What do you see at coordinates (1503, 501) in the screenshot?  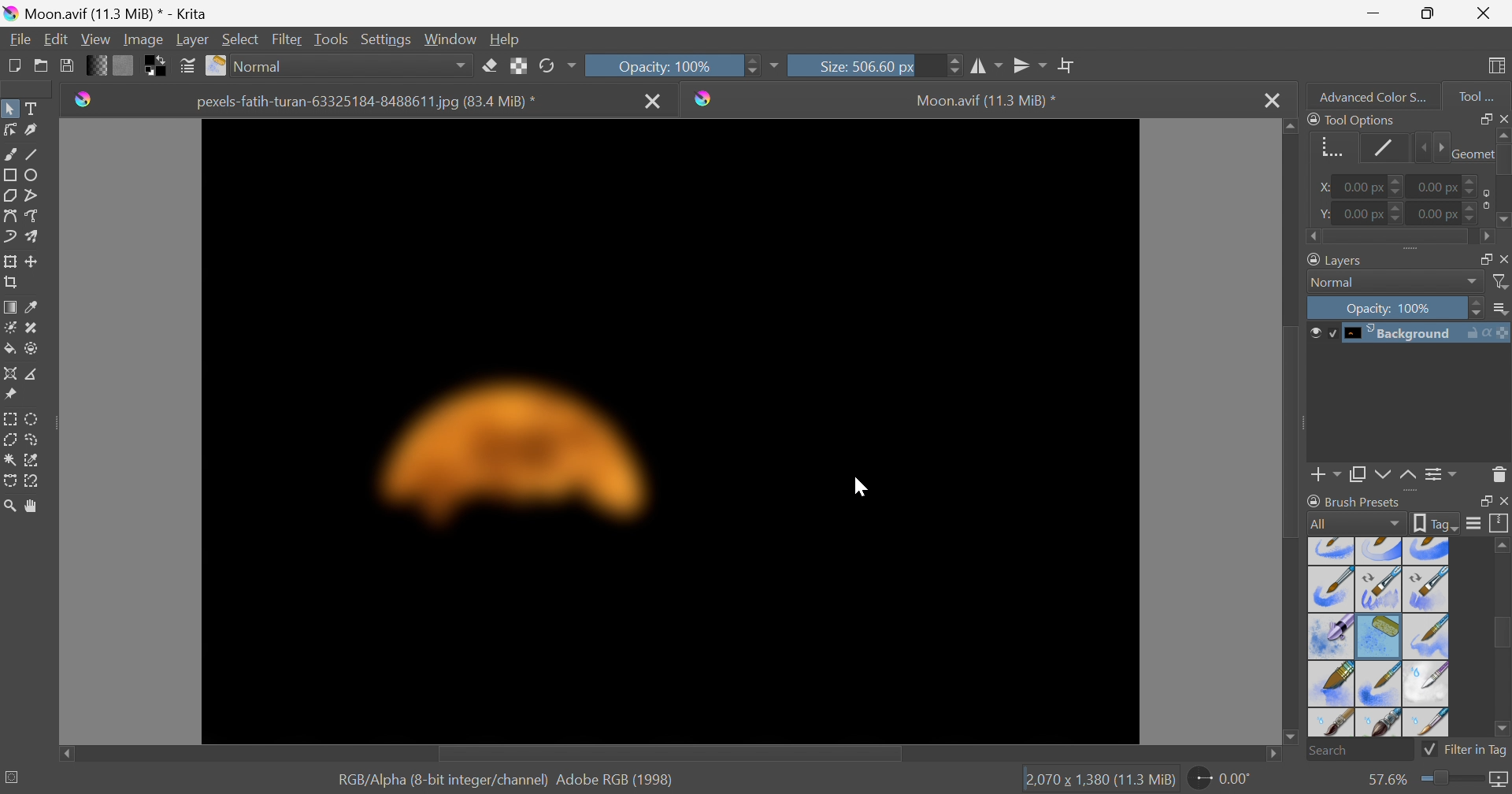 I see `Close` at bounding box center [1503, 501].